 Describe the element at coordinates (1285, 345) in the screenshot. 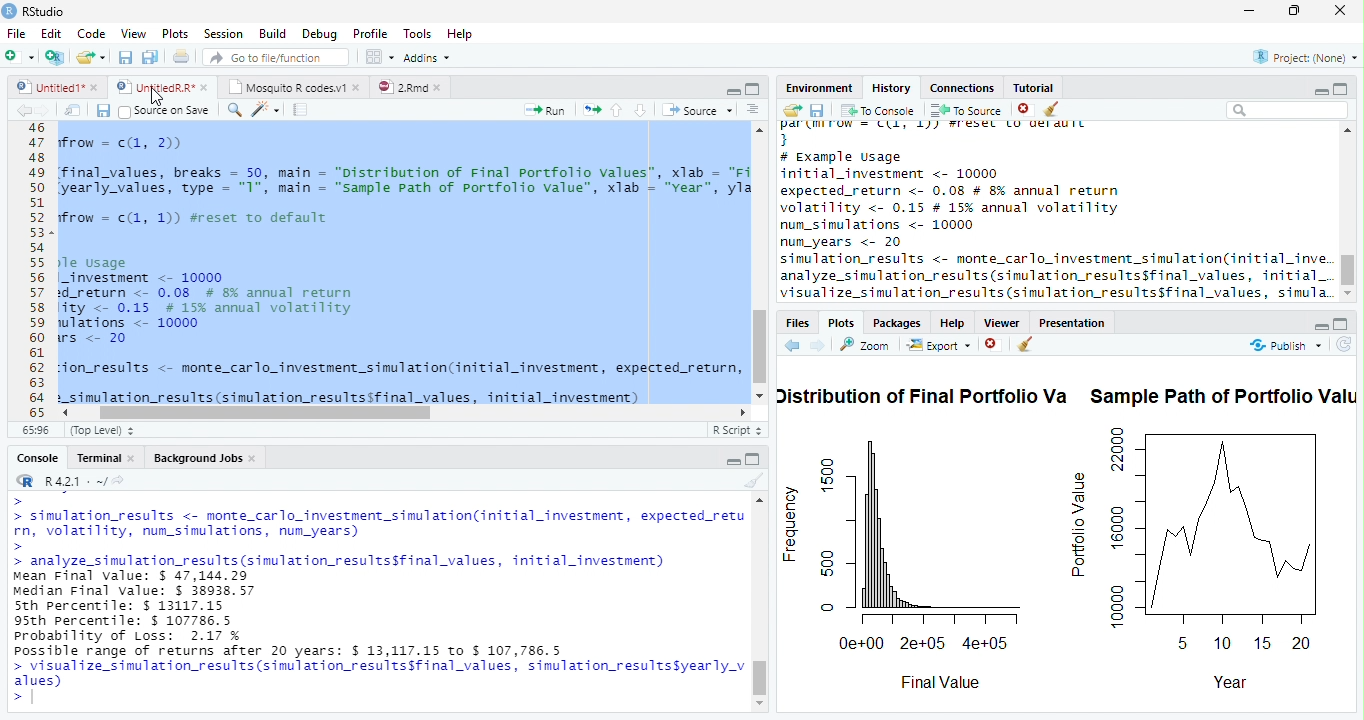

I see `publish` at that location.